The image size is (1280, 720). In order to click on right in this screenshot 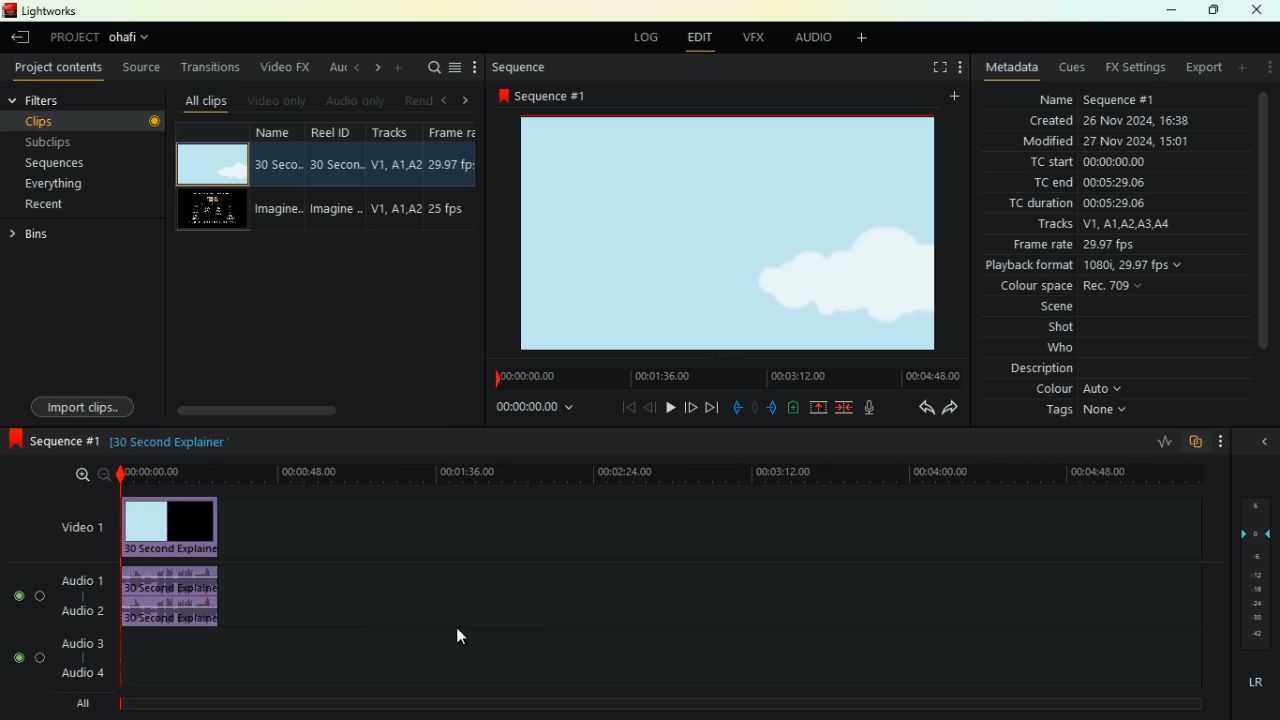, I will do `click(377, 68)`.